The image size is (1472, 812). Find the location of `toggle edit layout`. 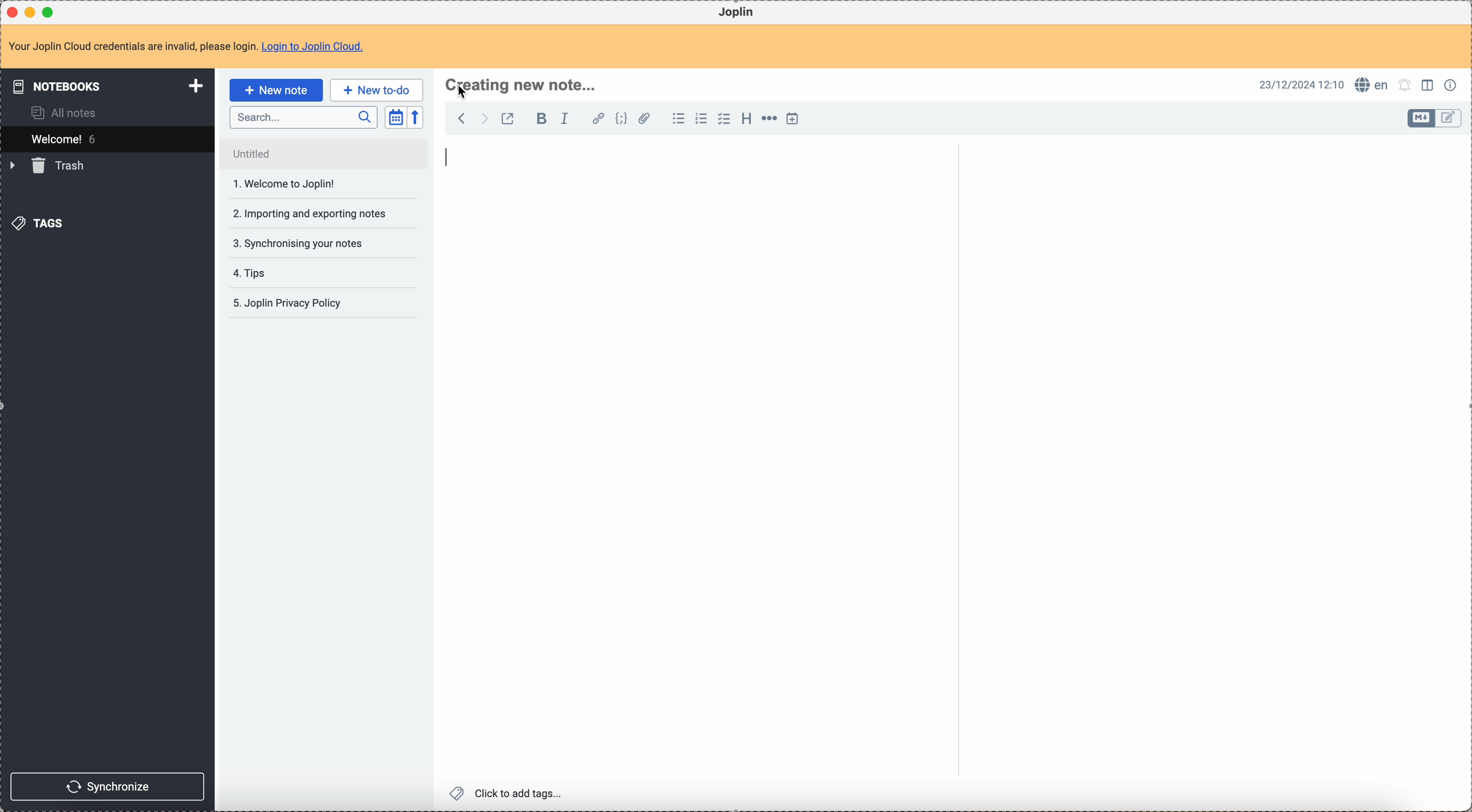

toggle edit layout is located at coordinates (1422, 118).